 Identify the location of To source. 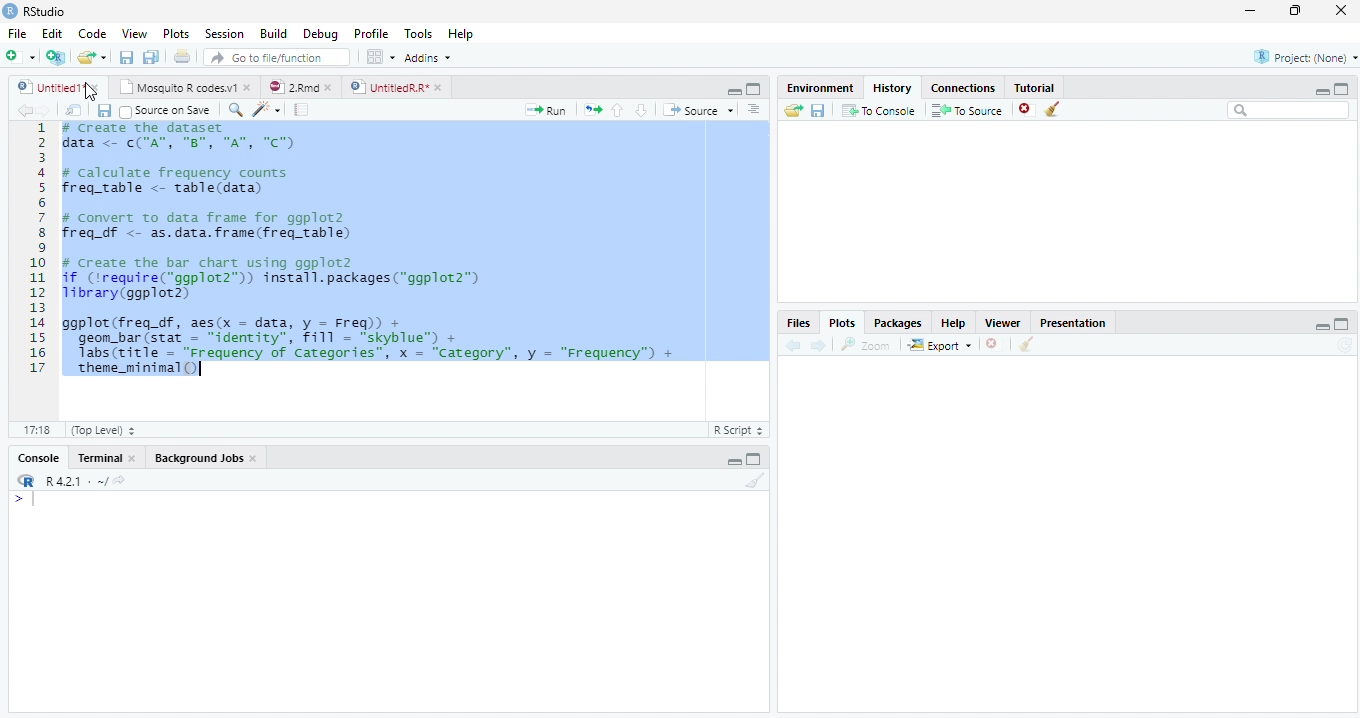
(969, 110).